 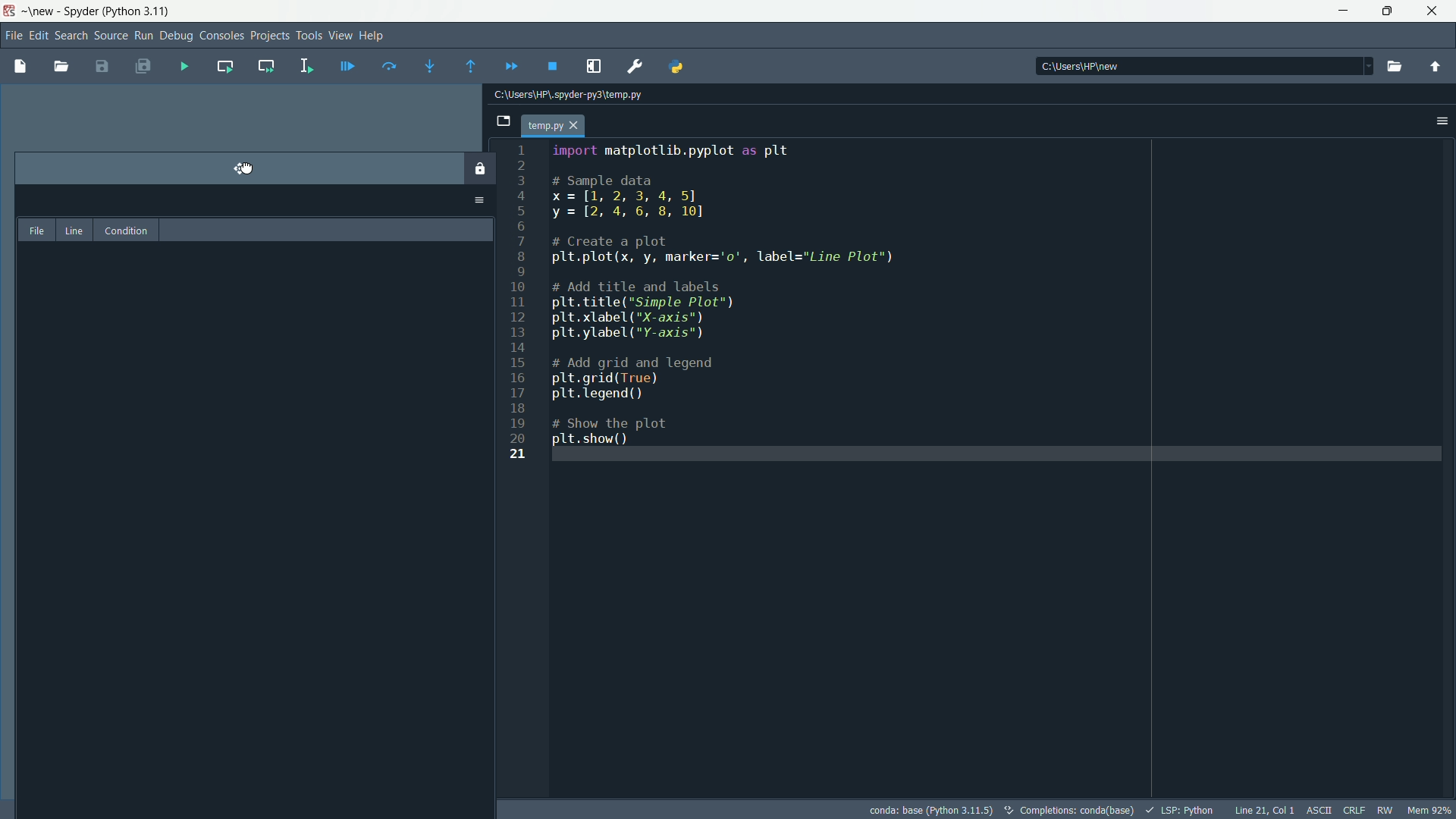 What do you see at coordinates (146, 68) in the screenshot?
I see `save all files` at bounding box center [146, 68].